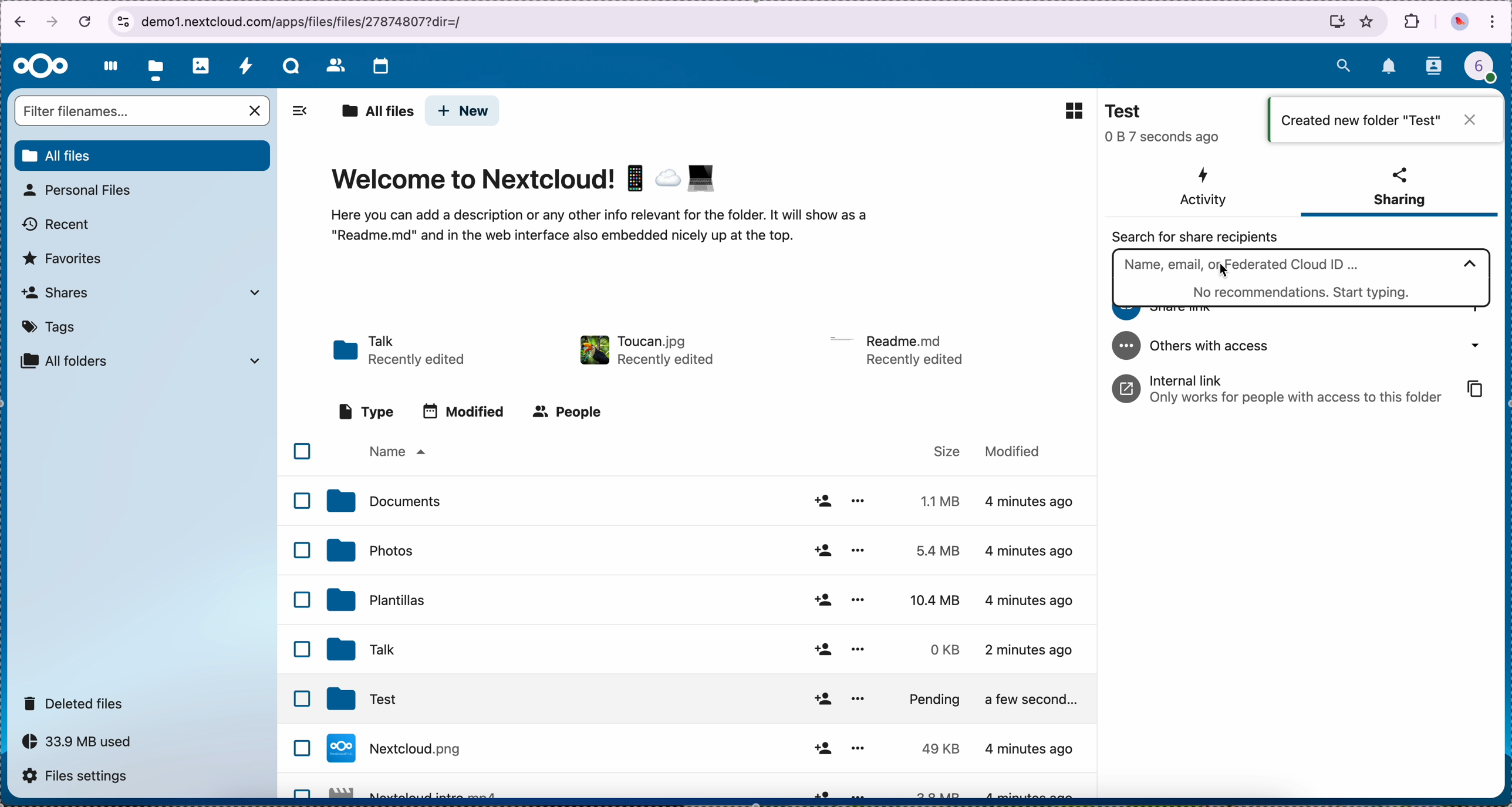 Image resolution: width=1512 pixels, height=807 pixels. I want to click on here you can add a description..., so click(617, 232).